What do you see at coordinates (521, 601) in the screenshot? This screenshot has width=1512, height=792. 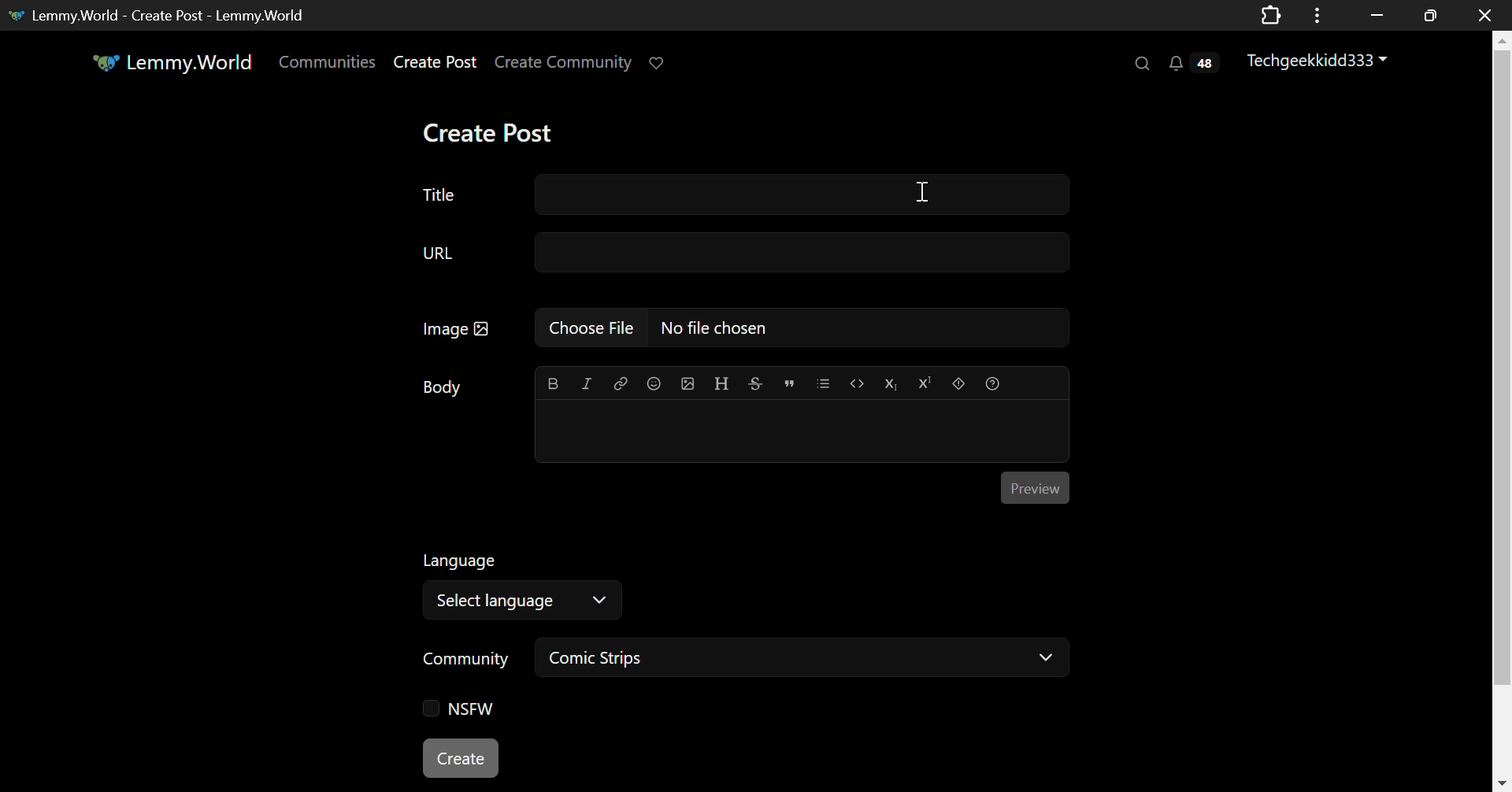 I see `Select Language` at bounding box center [521, 601].